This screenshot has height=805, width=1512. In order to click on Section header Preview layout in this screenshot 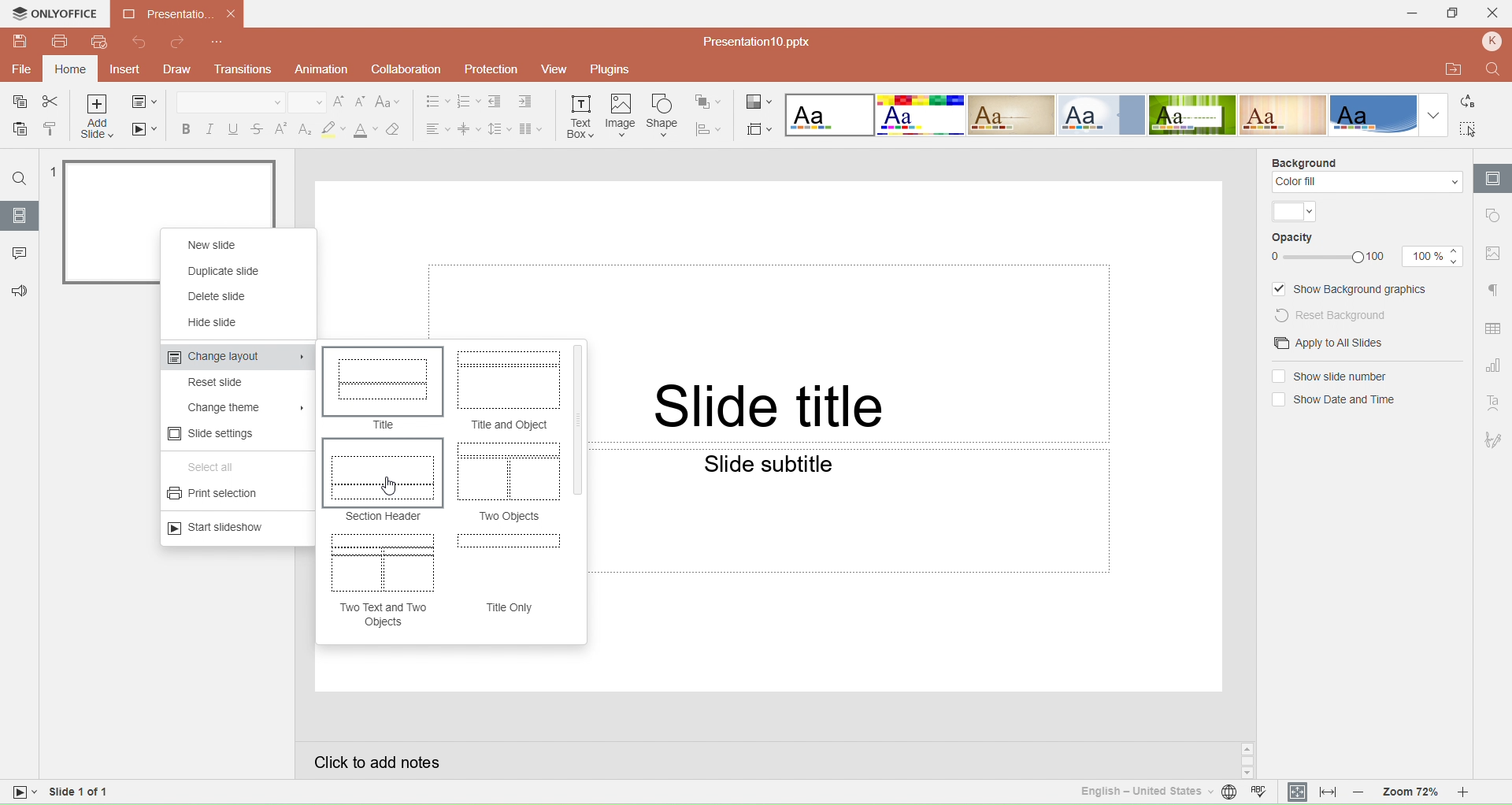, I will do `click(382, 472)`.